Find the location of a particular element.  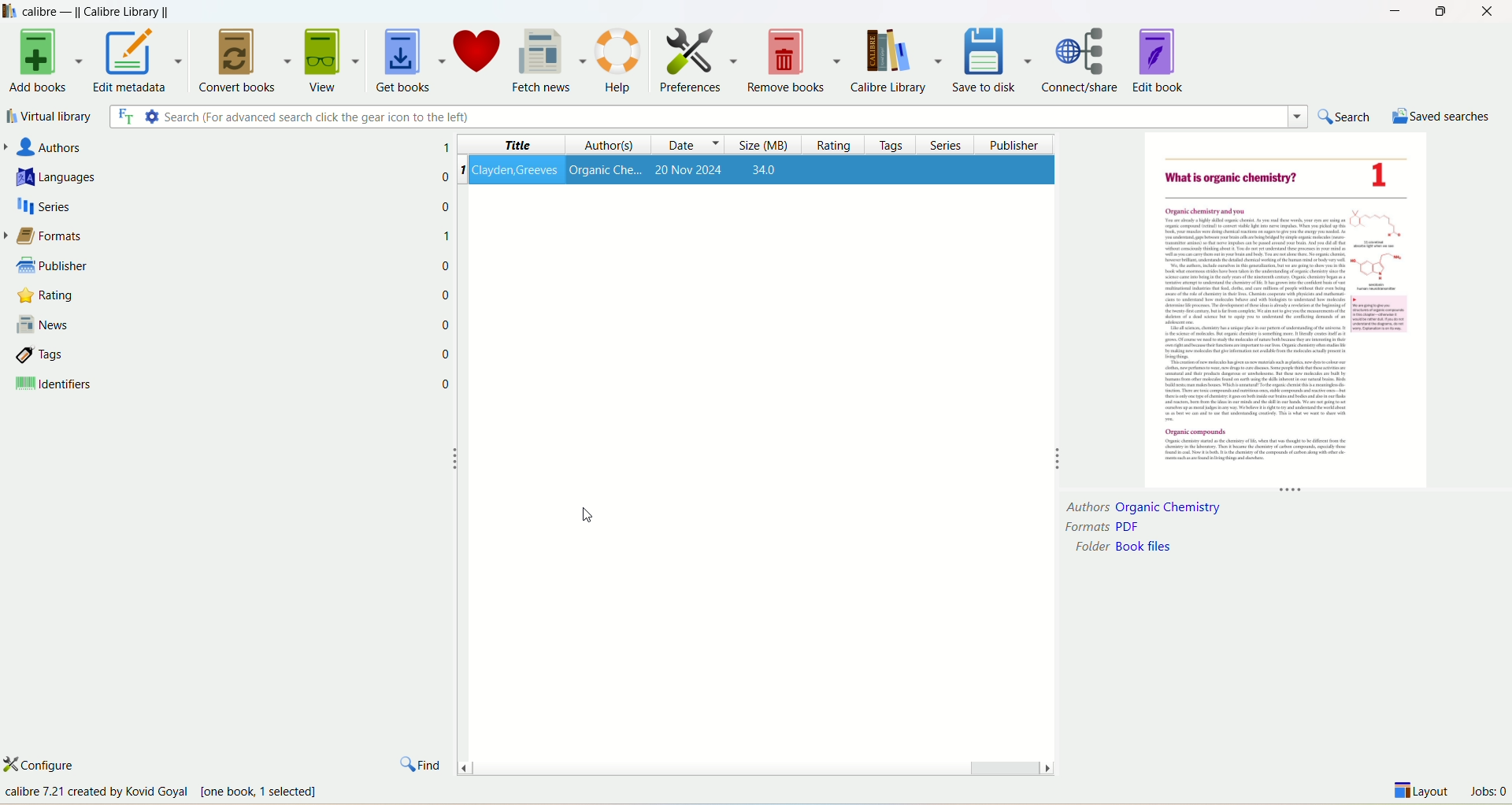

rating is located at coordinates (828, 146).